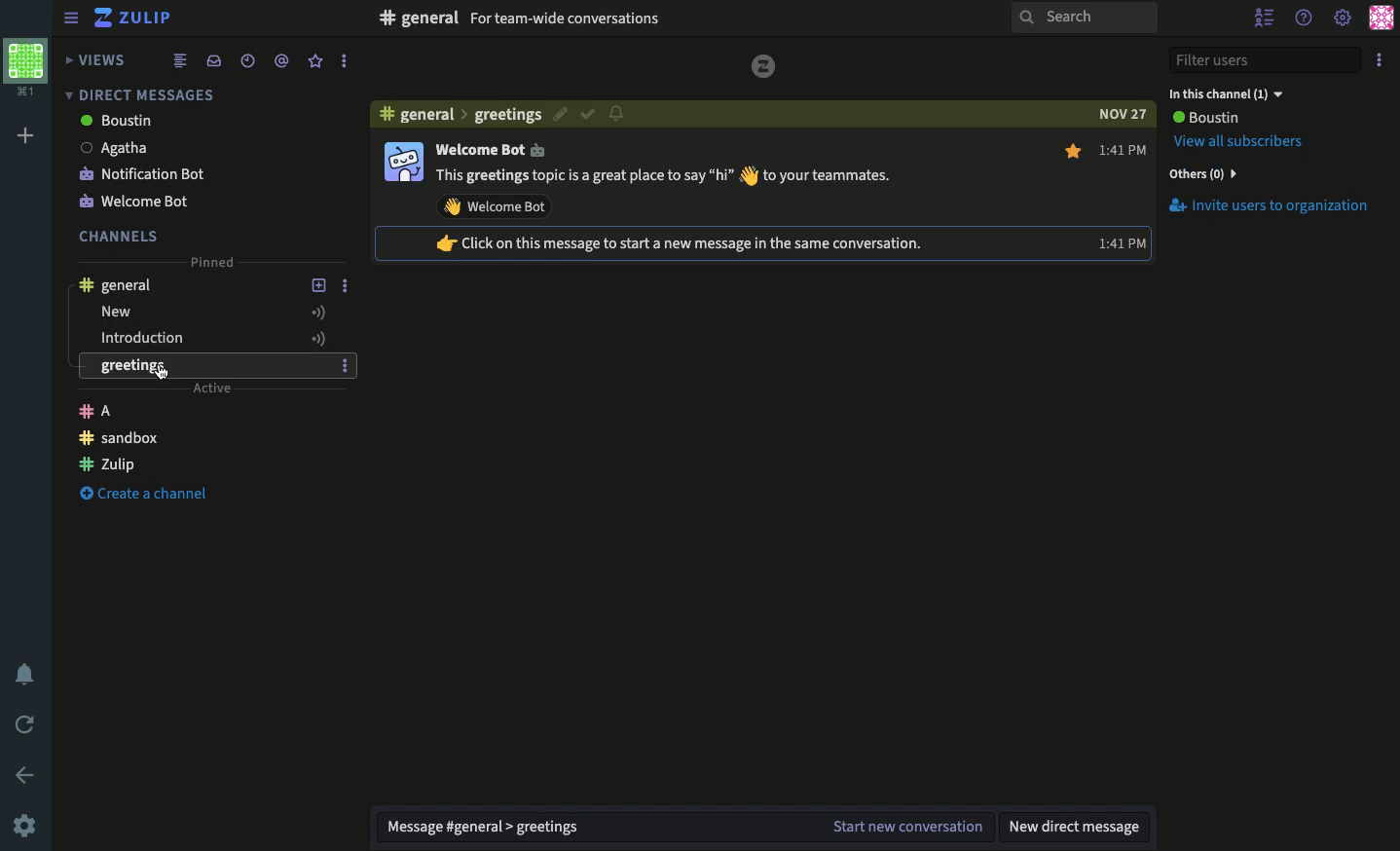 The image size is (1400, 851). Describe the element at coordinates (186, 312) in the screenshot. I see `new` at that location.